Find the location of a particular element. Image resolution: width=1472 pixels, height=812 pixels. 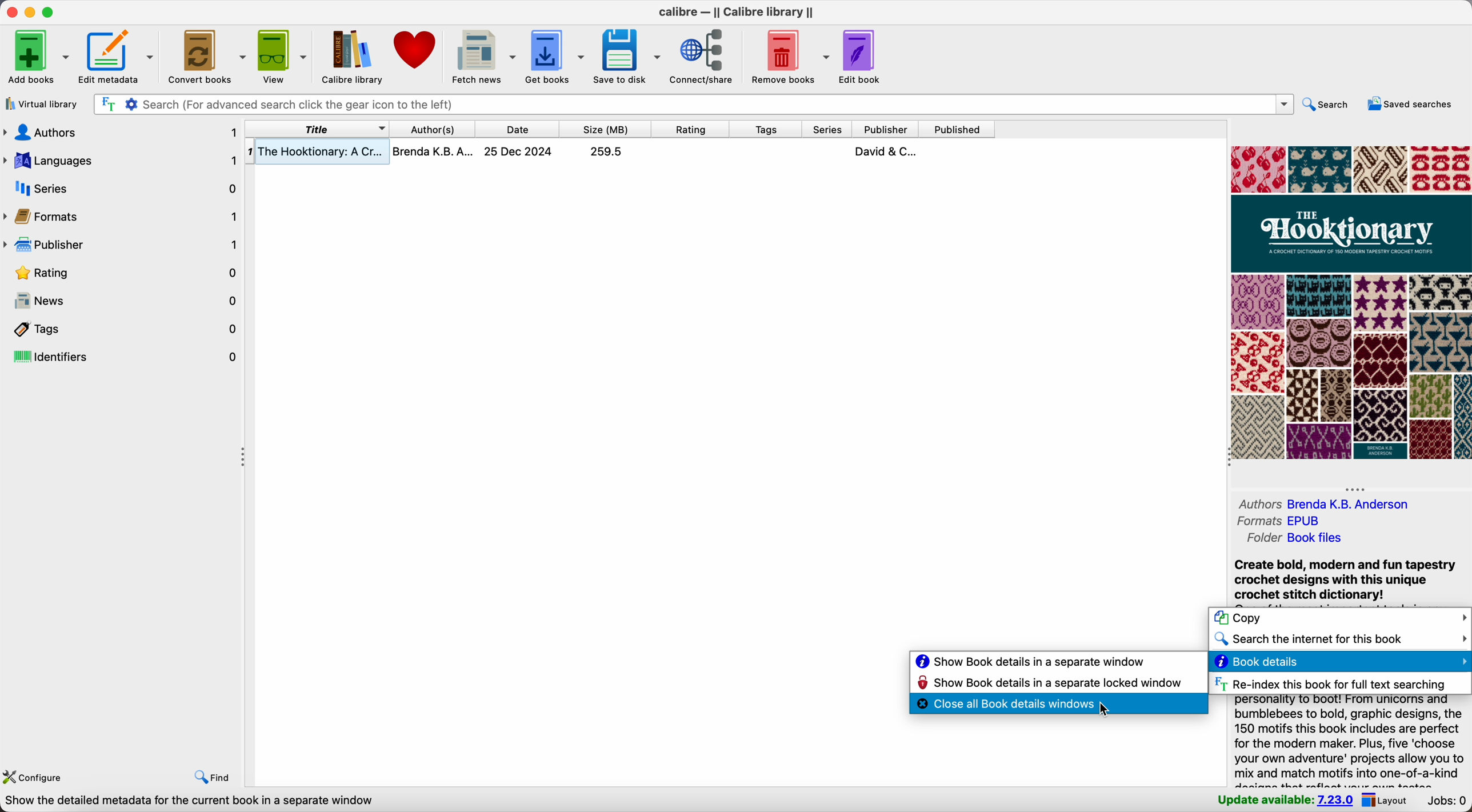

publisher is located at coordinates (884, 128).